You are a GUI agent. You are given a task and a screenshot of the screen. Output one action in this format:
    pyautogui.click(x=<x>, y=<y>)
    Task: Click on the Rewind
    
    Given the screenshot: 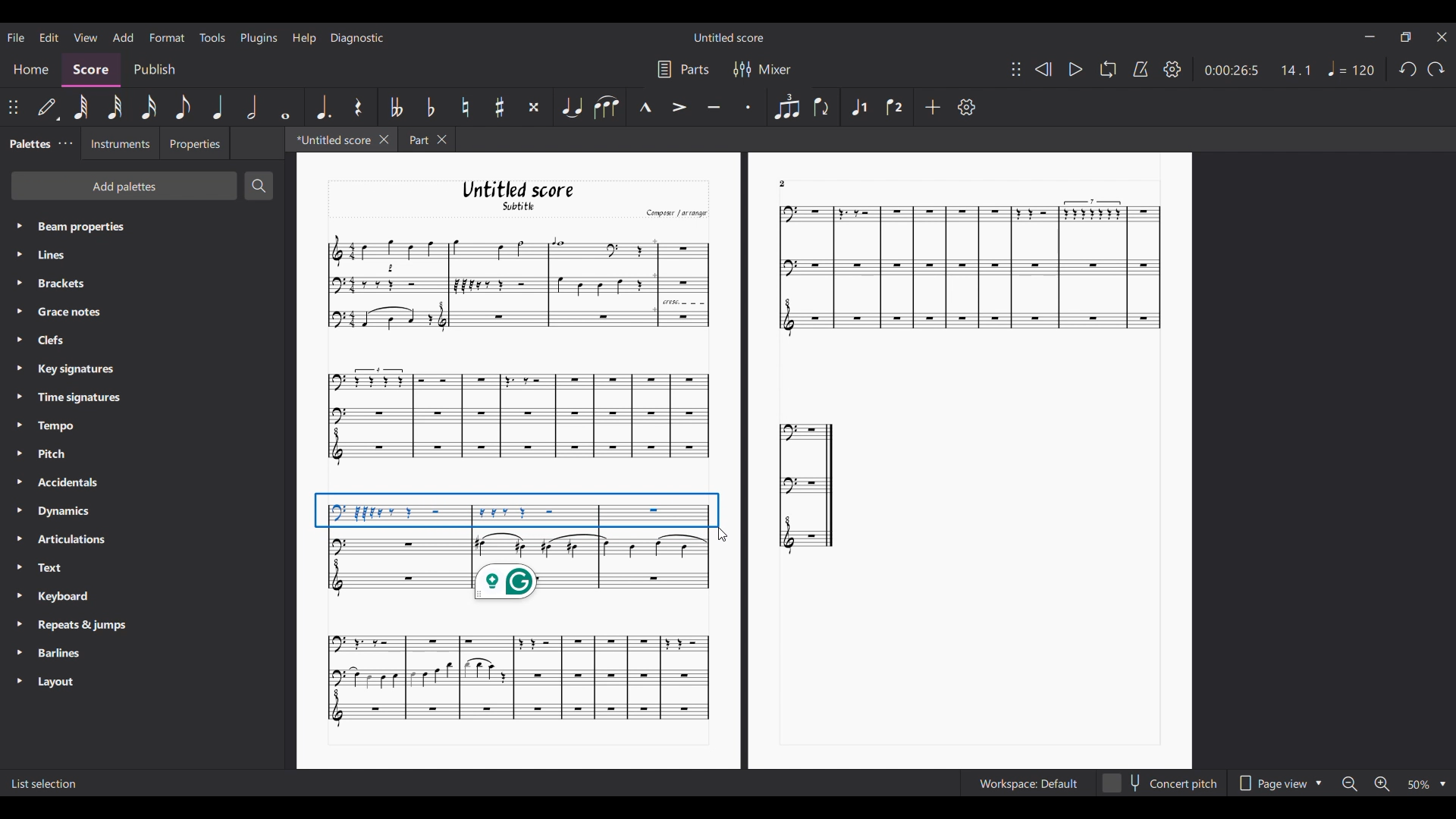 What is the action you would take?
    pyautogui.click(x=1042, y=69)
    